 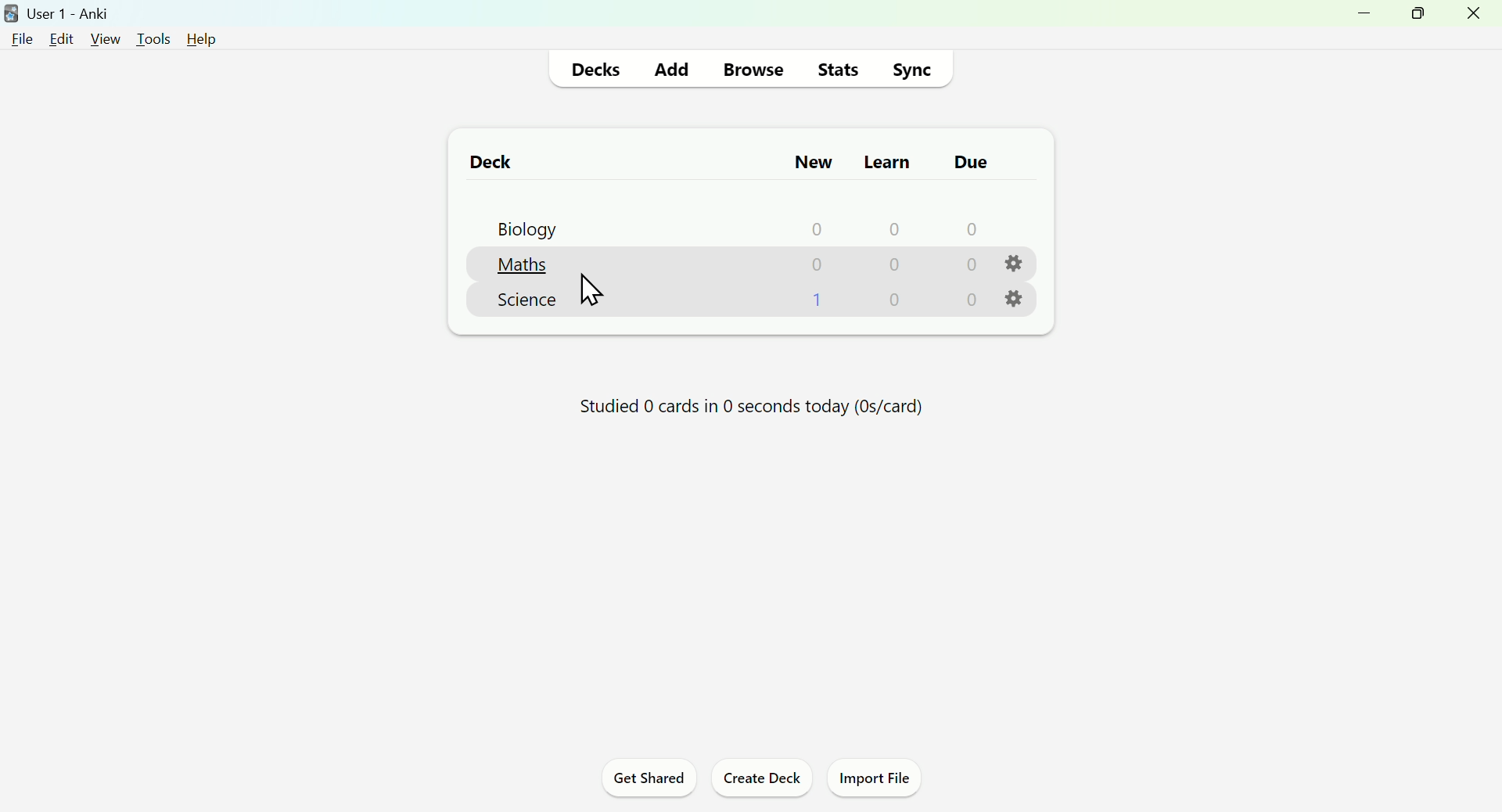 I want to click on Get Shared, so click(x=643, y=781).